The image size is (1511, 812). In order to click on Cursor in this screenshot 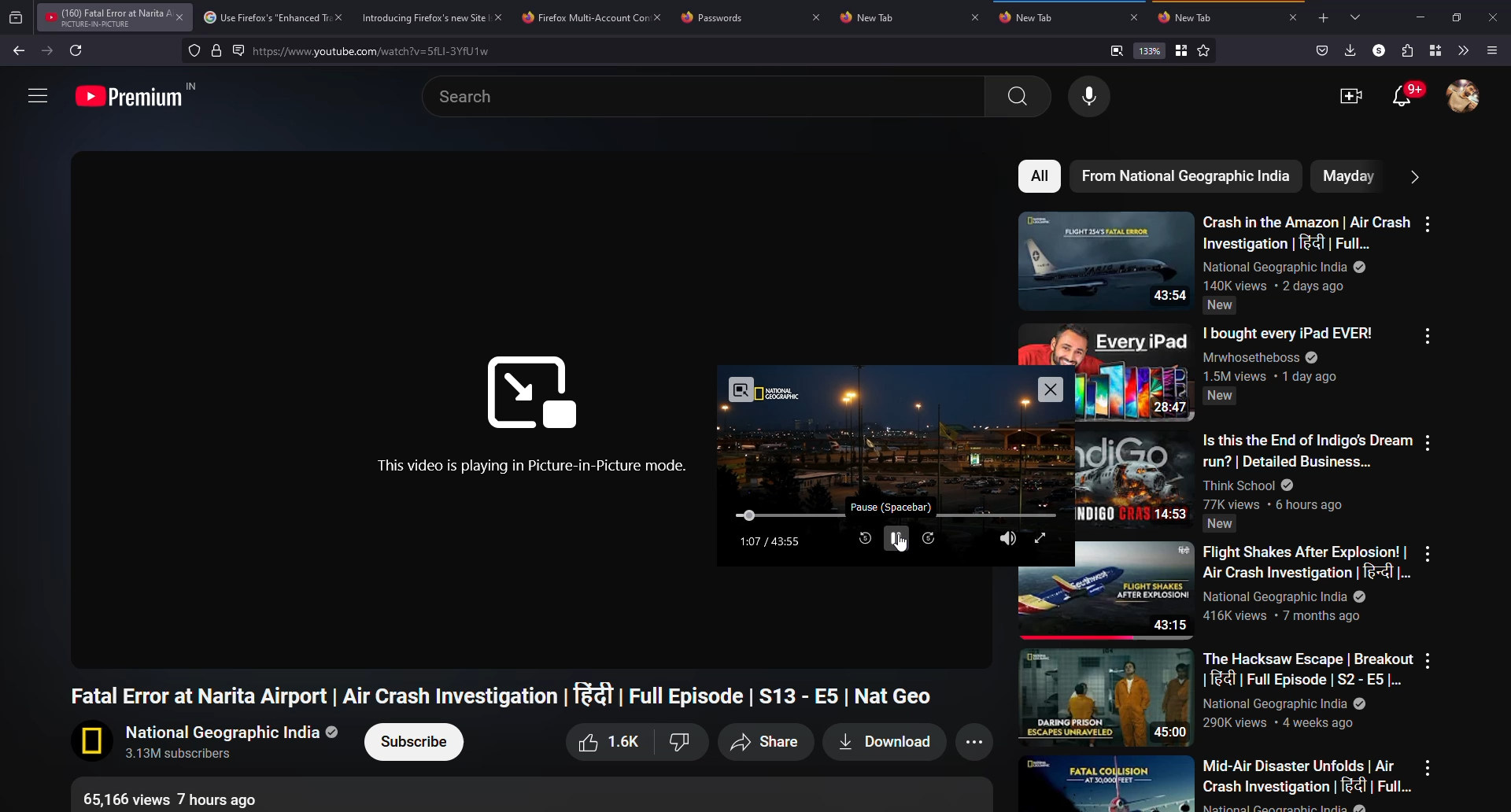, I will do `click(903, 548)`.